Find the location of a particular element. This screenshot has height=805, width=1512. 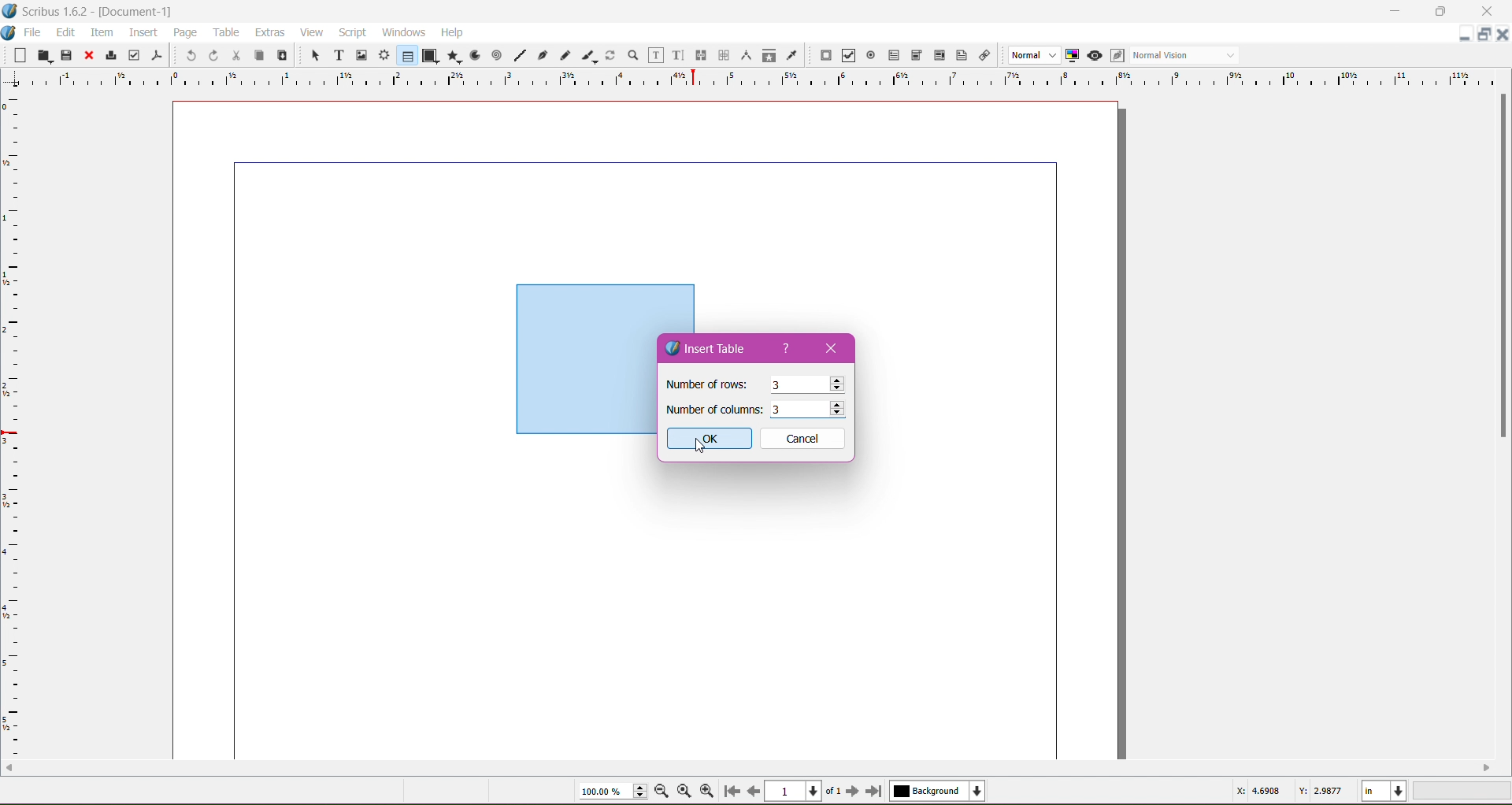

Text Frame is located at coordinates (335, 55).